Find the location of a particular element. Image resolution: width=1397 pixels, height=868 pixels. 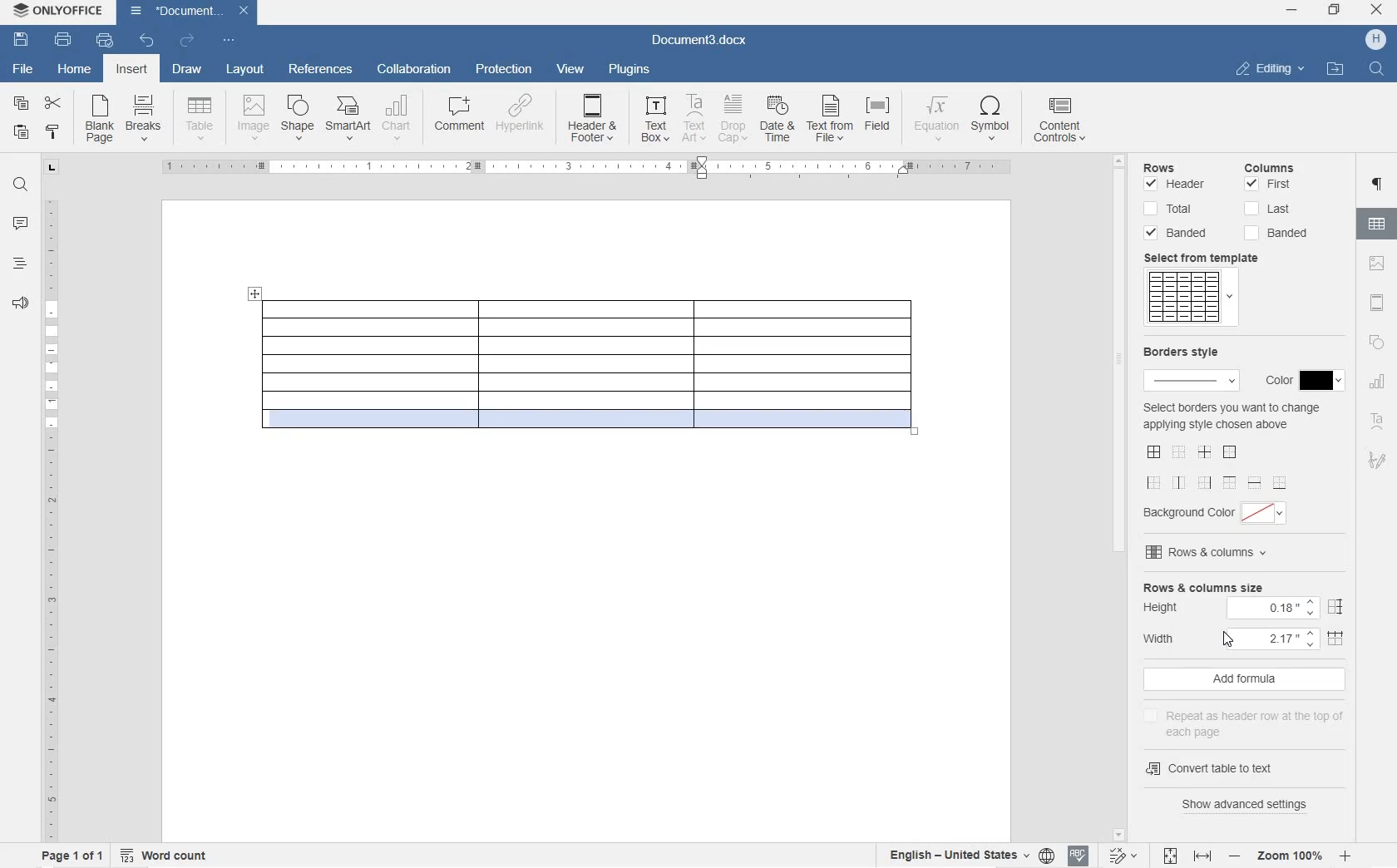

PARAGRAPH SETTINGS is located at coordinates (1378, 185).